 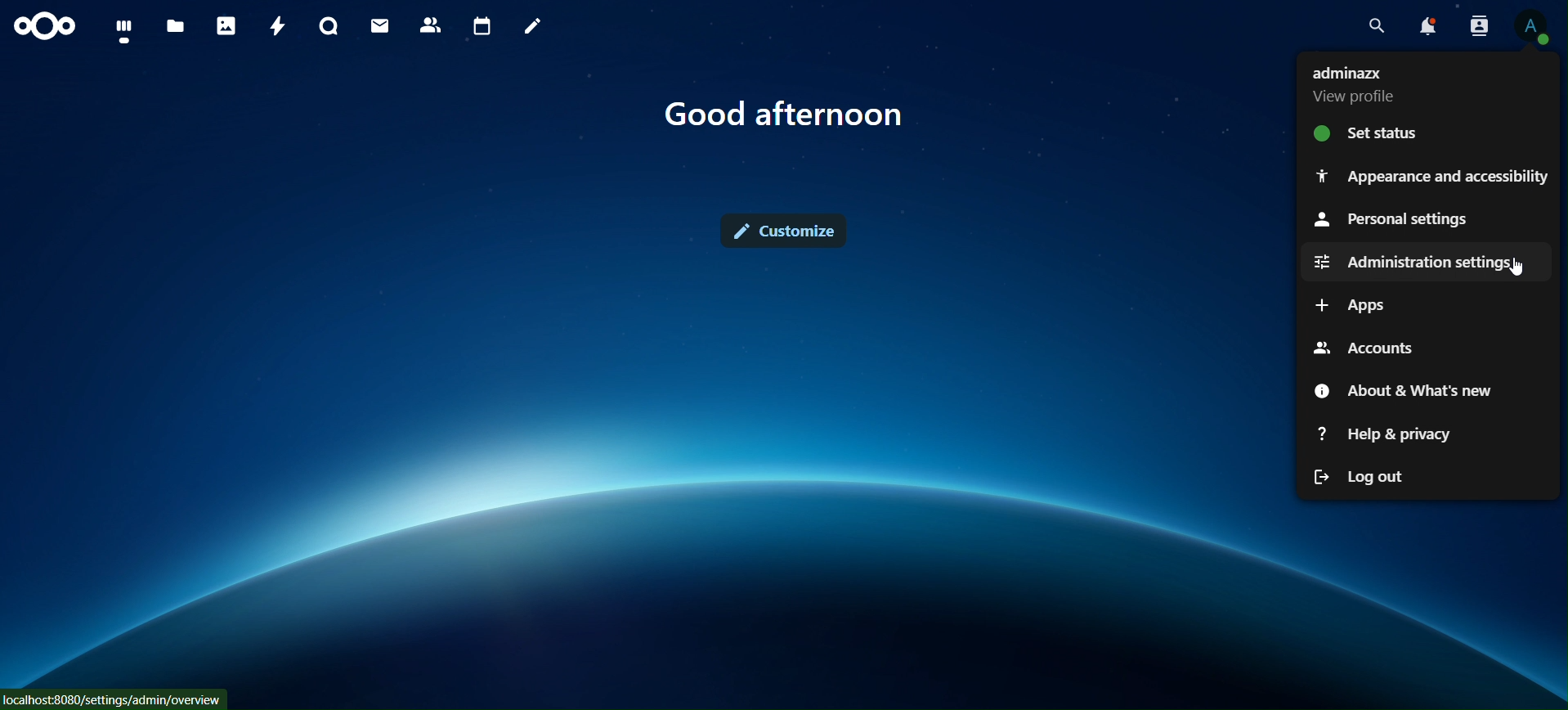 I want to click on log out, so click(x=1360, y=479).